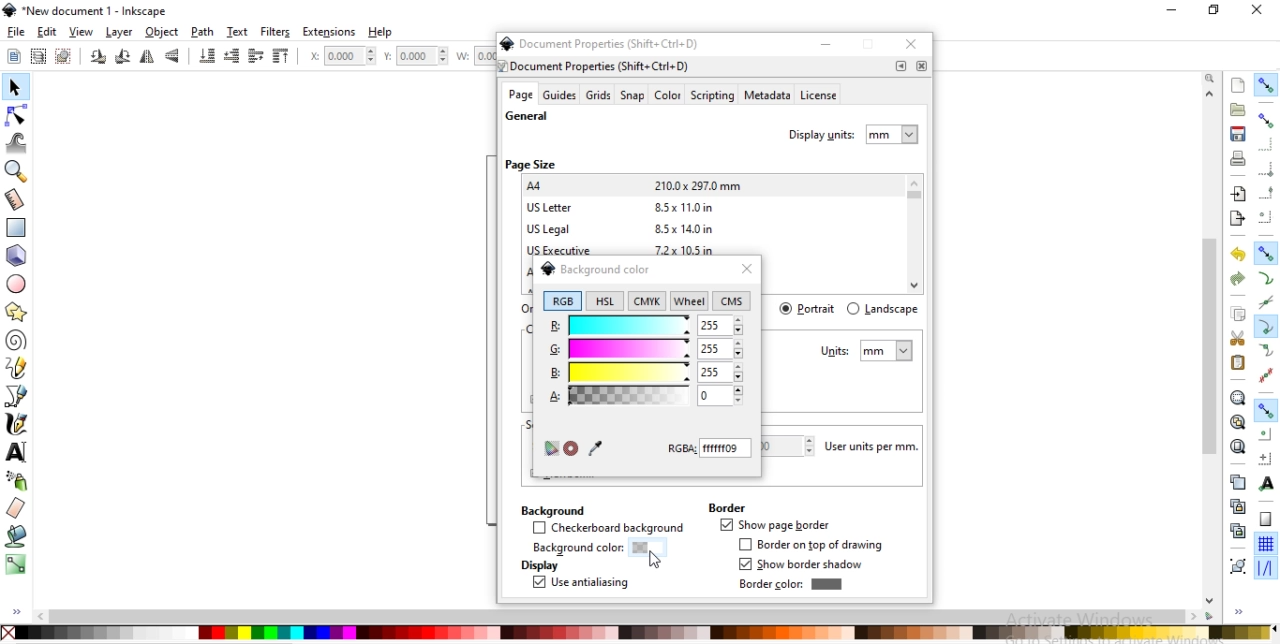  What do you see at coordinates (1266, 253) in the screenshot?
I see `snap nodes, paths and handles` at bounding box center [1266, 253].